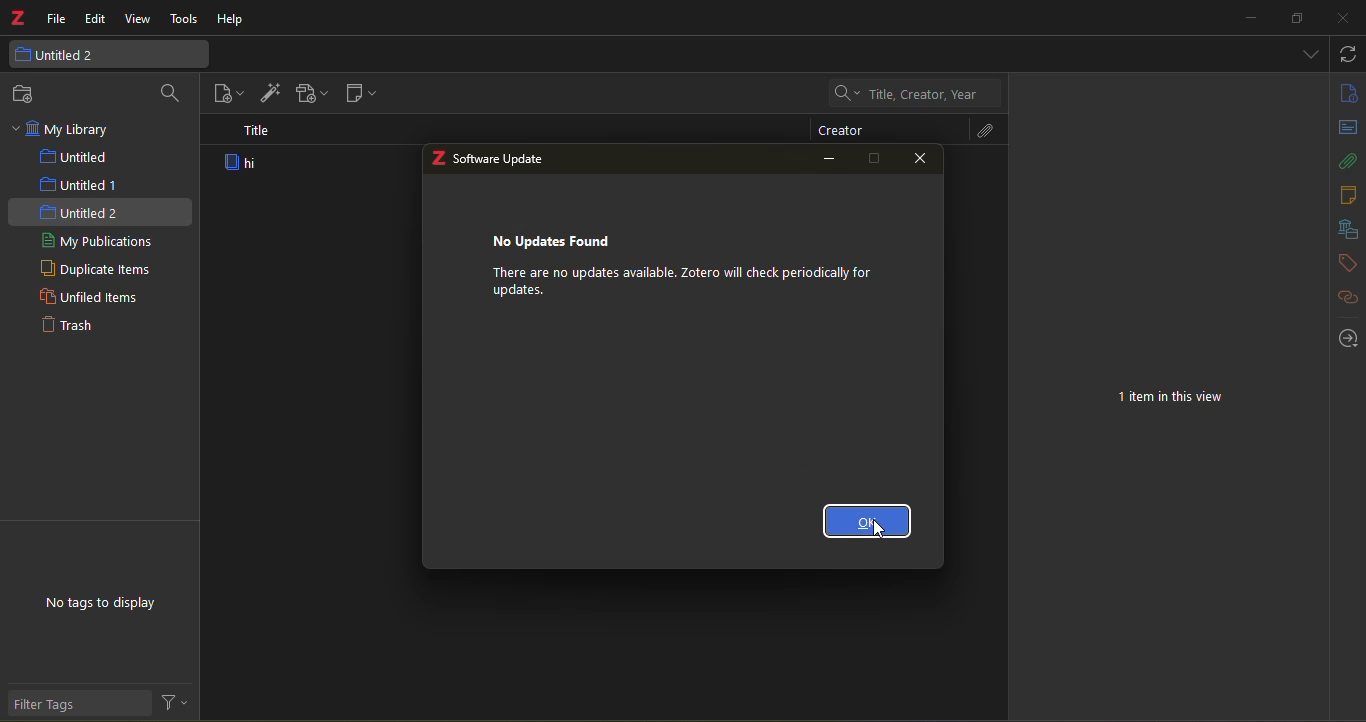 This screenshot has height=722, width=1366. Describe the element at coordinates (1348, 93) in the screenshot. I see `info` at that location.